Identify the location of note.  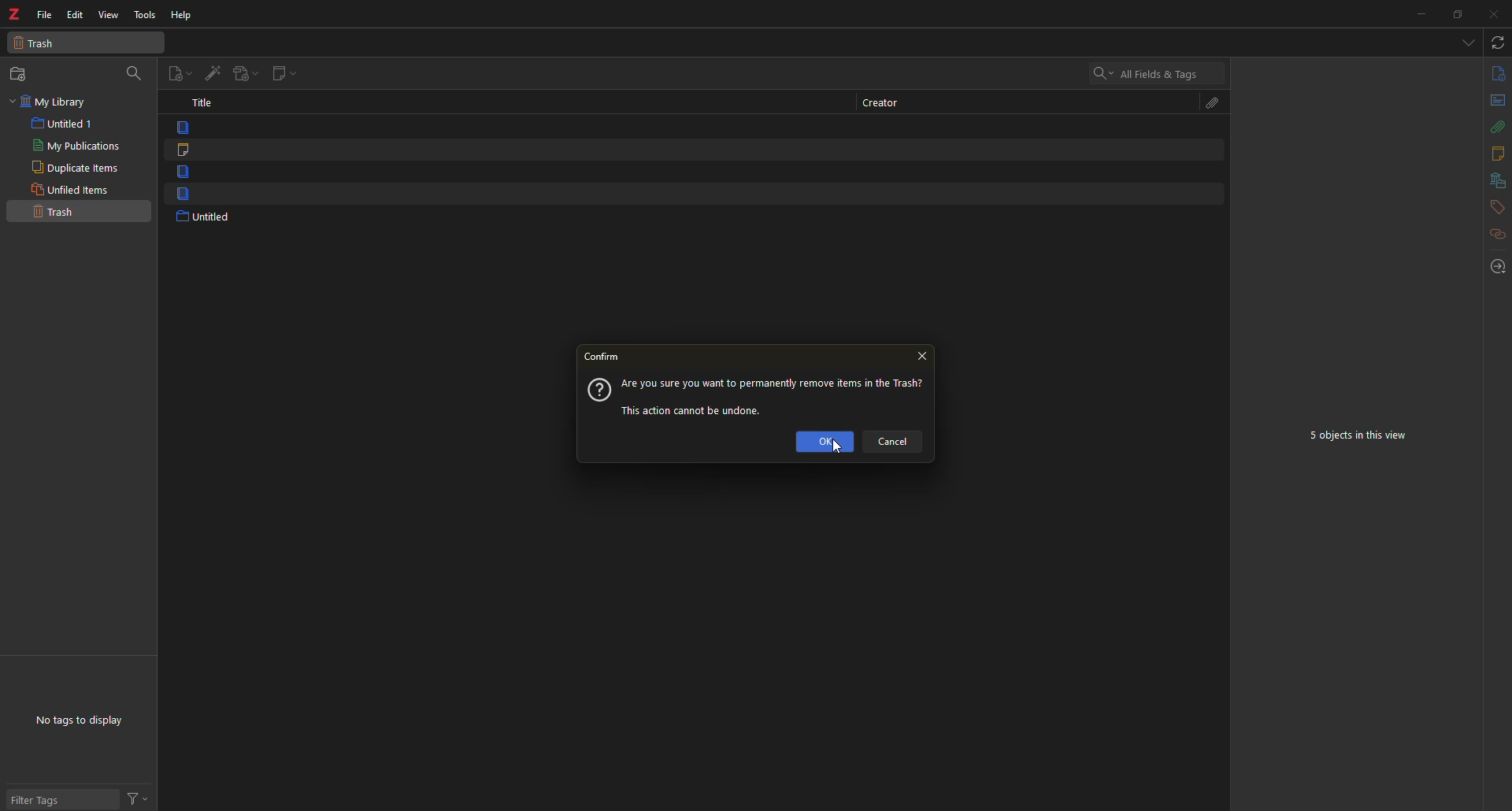
(180, 149).